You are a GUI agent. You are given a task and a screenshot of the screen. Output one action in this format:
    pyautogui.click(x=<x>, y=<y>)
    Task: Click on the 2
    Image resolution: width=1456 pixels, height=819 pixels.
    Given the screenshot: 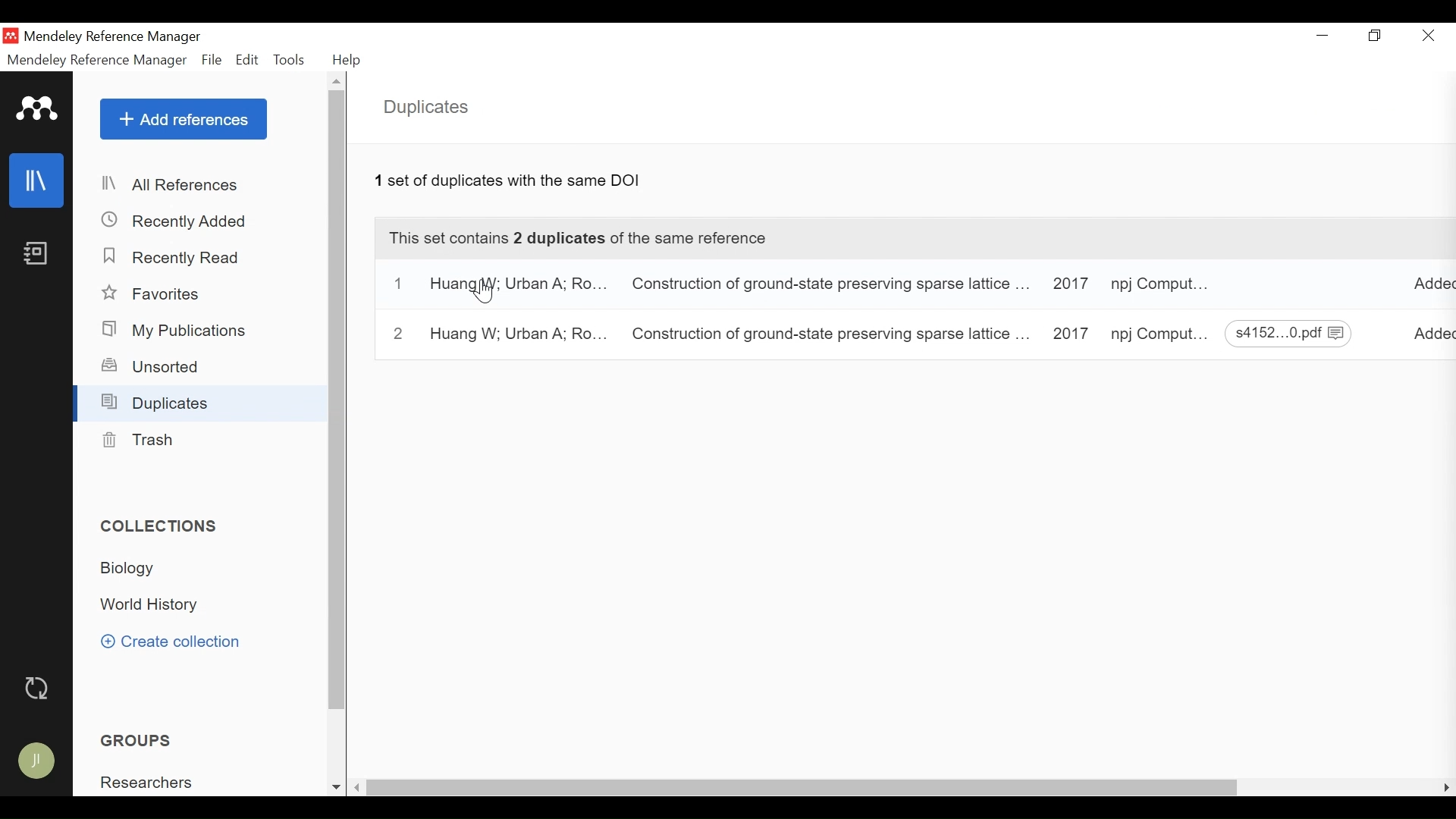 What is the action you would take?
    pyautogui.click(x=397, y=334)
    